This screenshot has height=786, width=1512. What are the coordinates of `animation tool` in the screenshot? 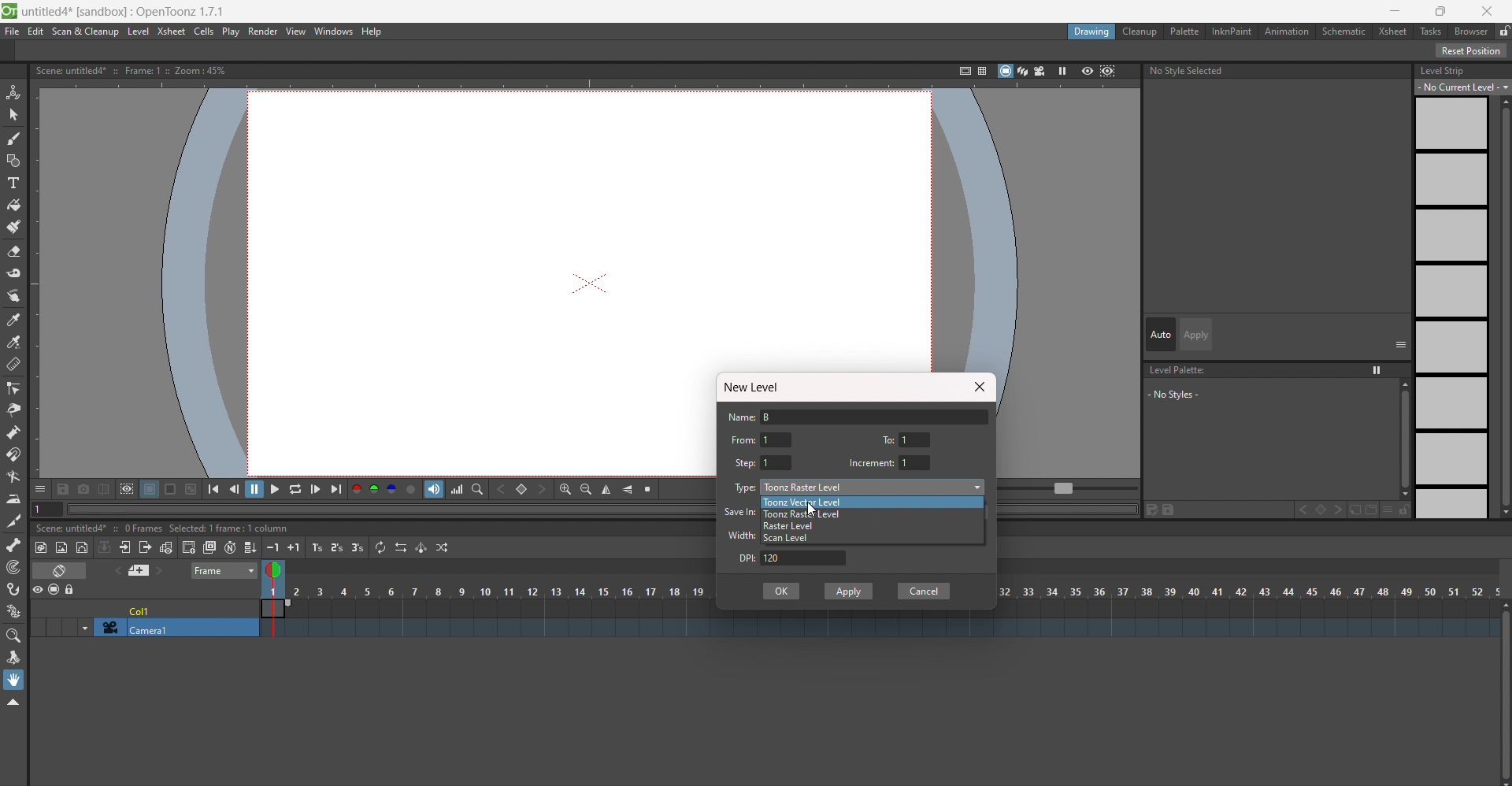 It's located at (14, 93).